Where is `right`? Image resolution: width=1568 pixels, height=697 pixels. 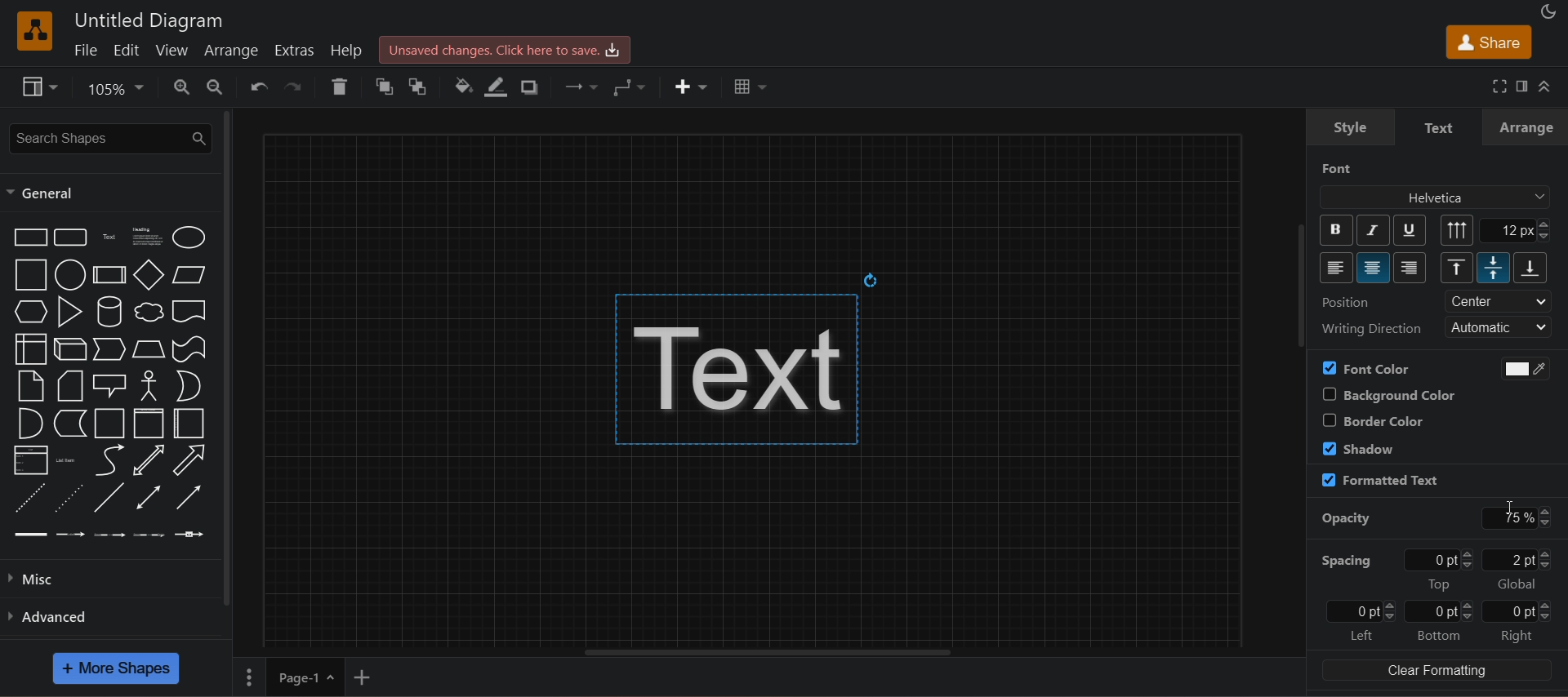
right is located at coordinates (1518, 637).